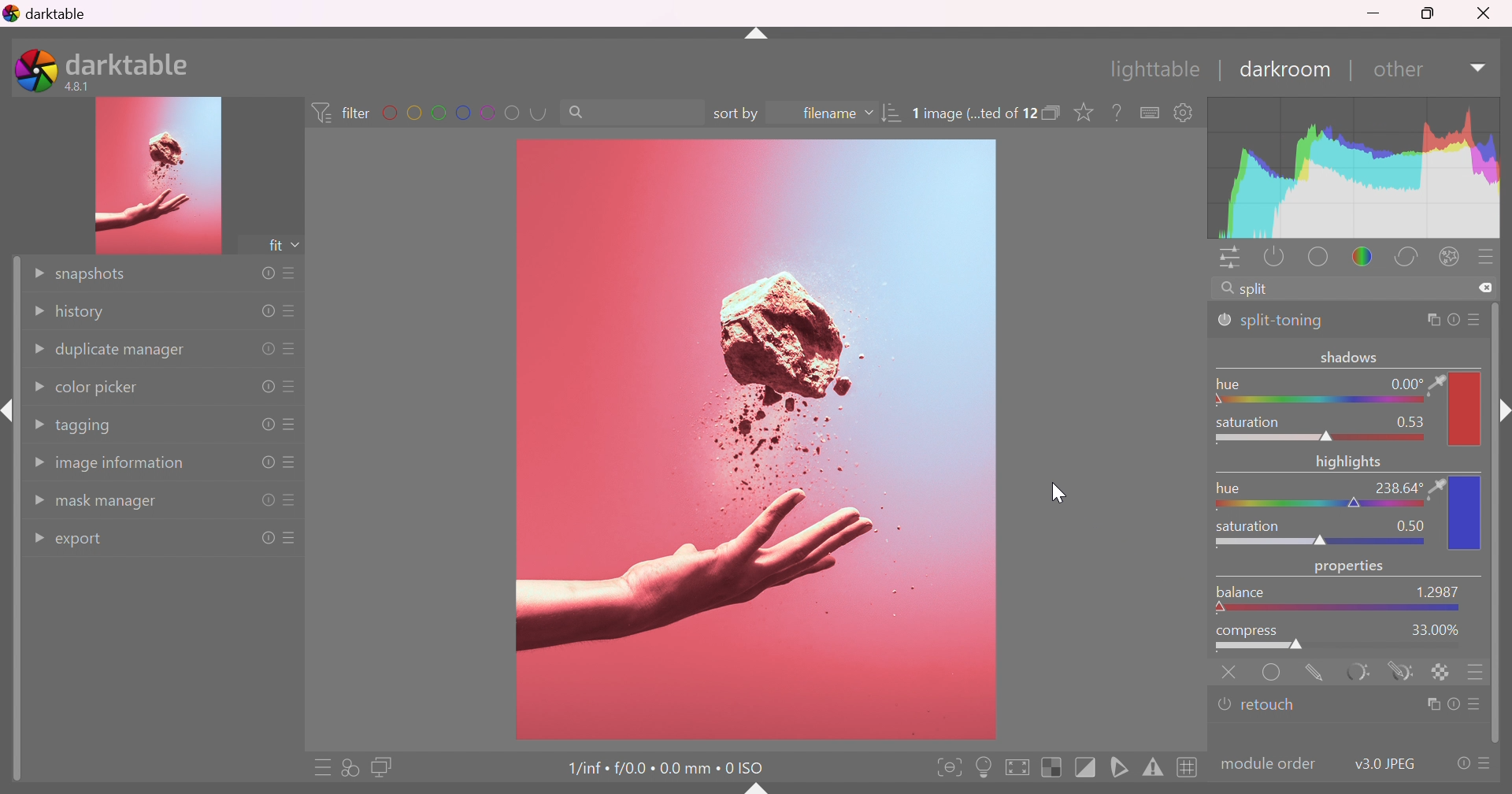 The height and width of the screenshot is (794, 1512). Describe the element at coordinates (1186, 768) in the screenshot. I see `toggle guide lines` at that location.